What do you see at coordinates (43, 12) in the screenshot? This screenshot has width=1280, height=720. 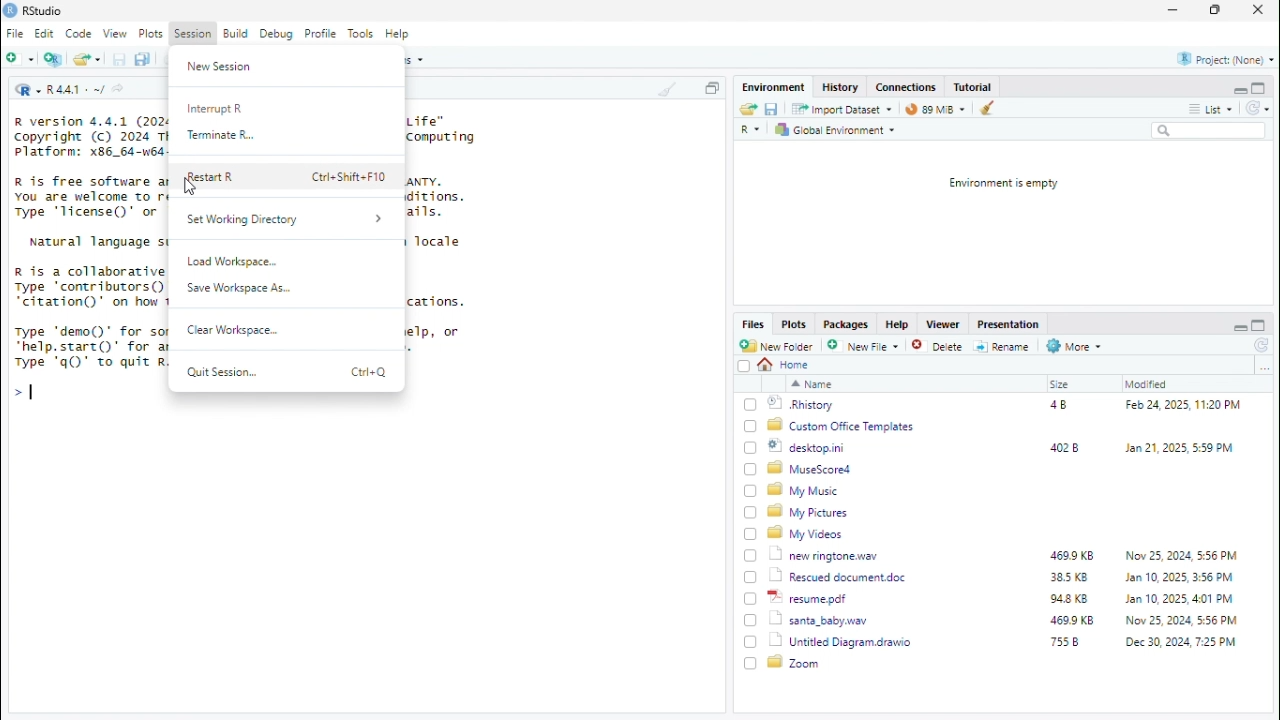 I see `RStudio` at bounding box center [43, 12].